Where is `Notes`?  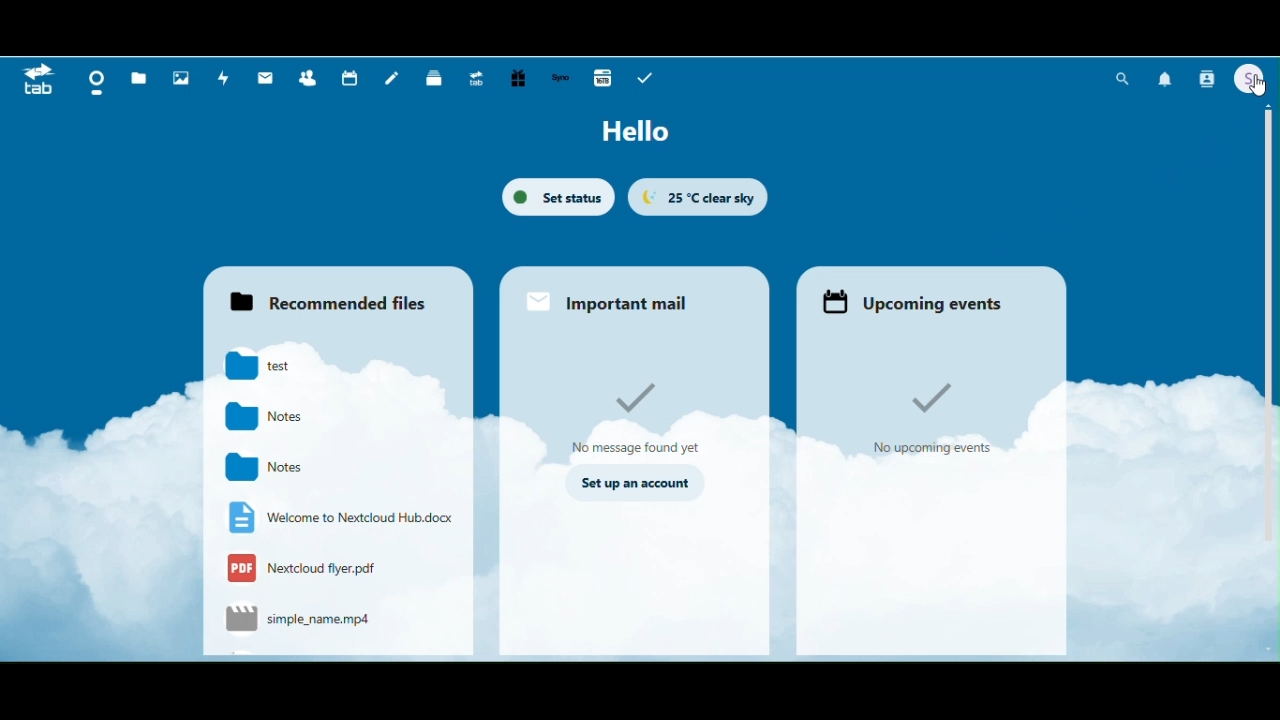 Notes is located at coordinates (393, 79).